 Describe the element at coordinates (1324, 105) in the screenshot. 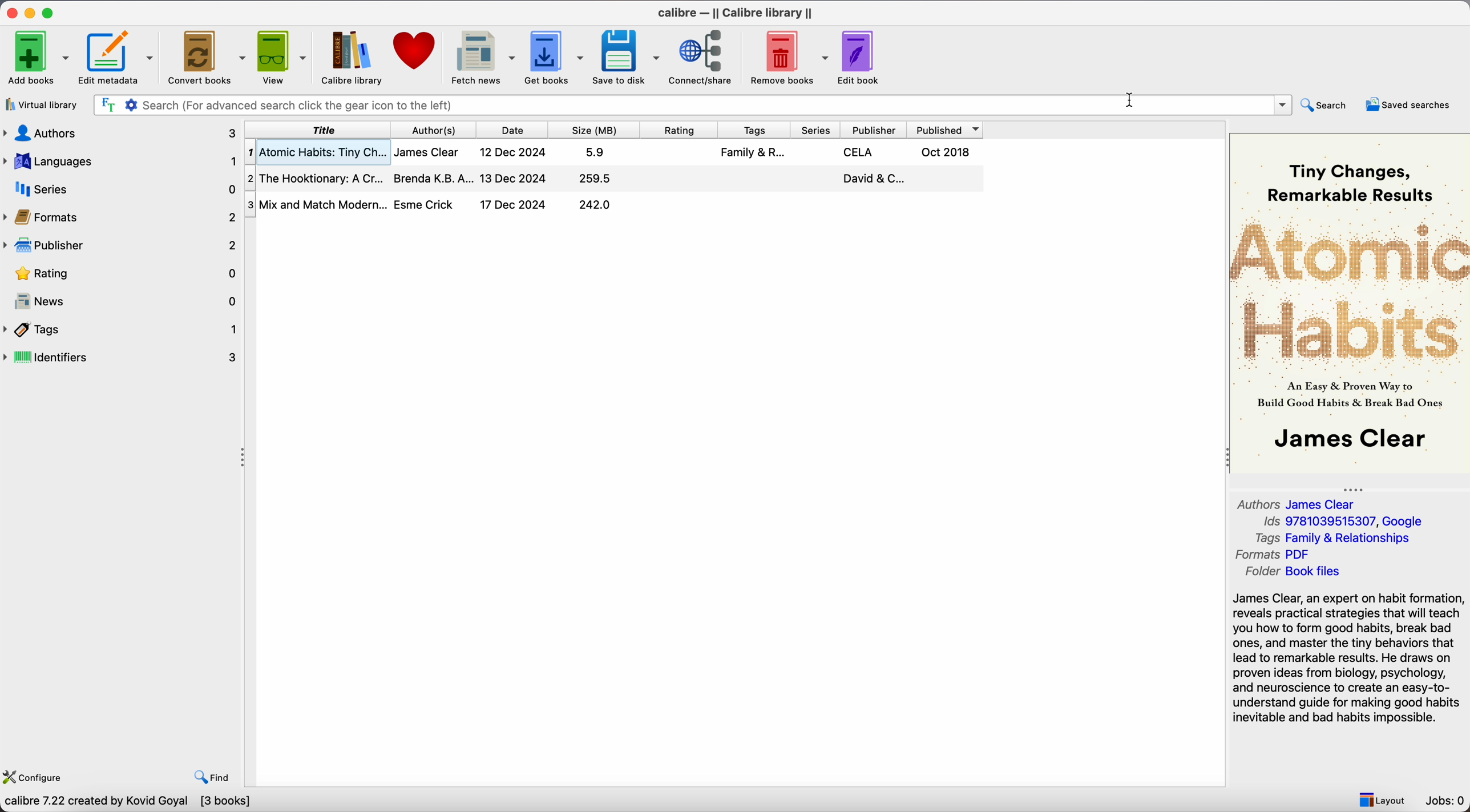

I see `search` at that location.